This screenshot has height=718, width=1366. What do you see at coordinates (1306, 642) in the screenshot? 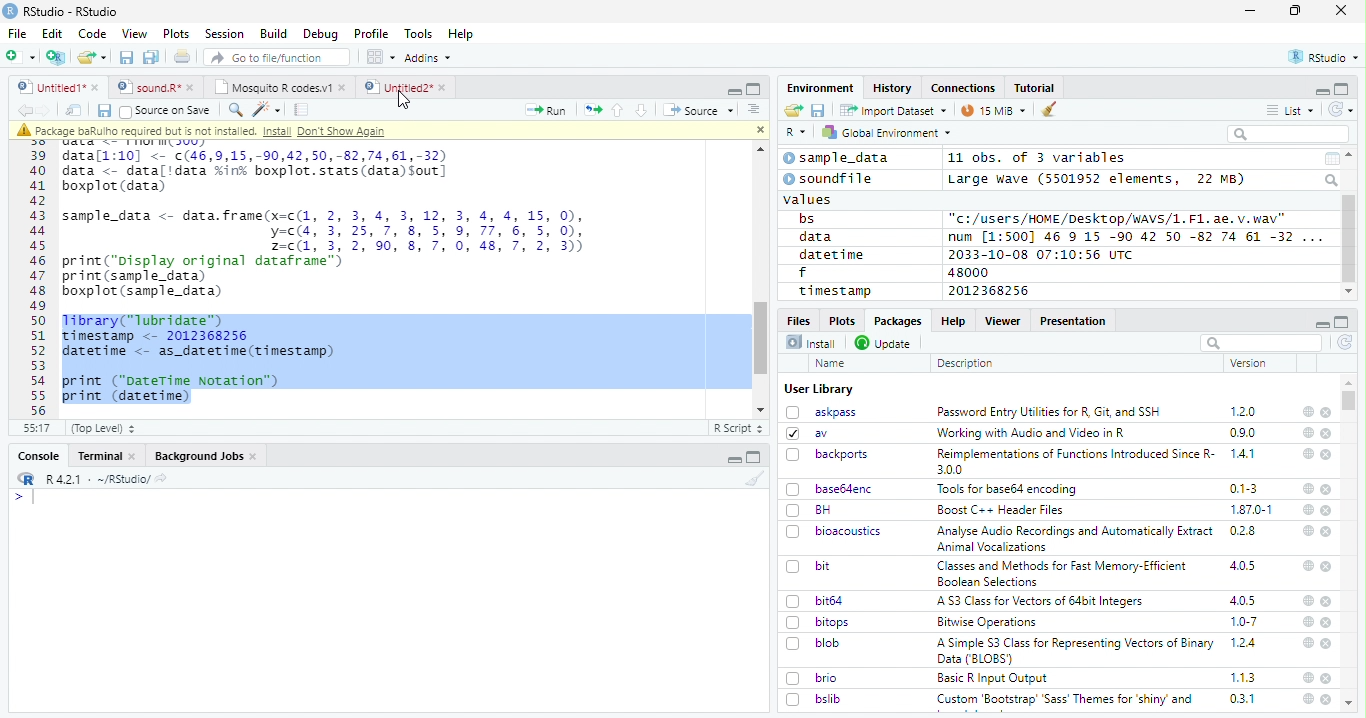
I see `help` at bounding box center [1306, 642].